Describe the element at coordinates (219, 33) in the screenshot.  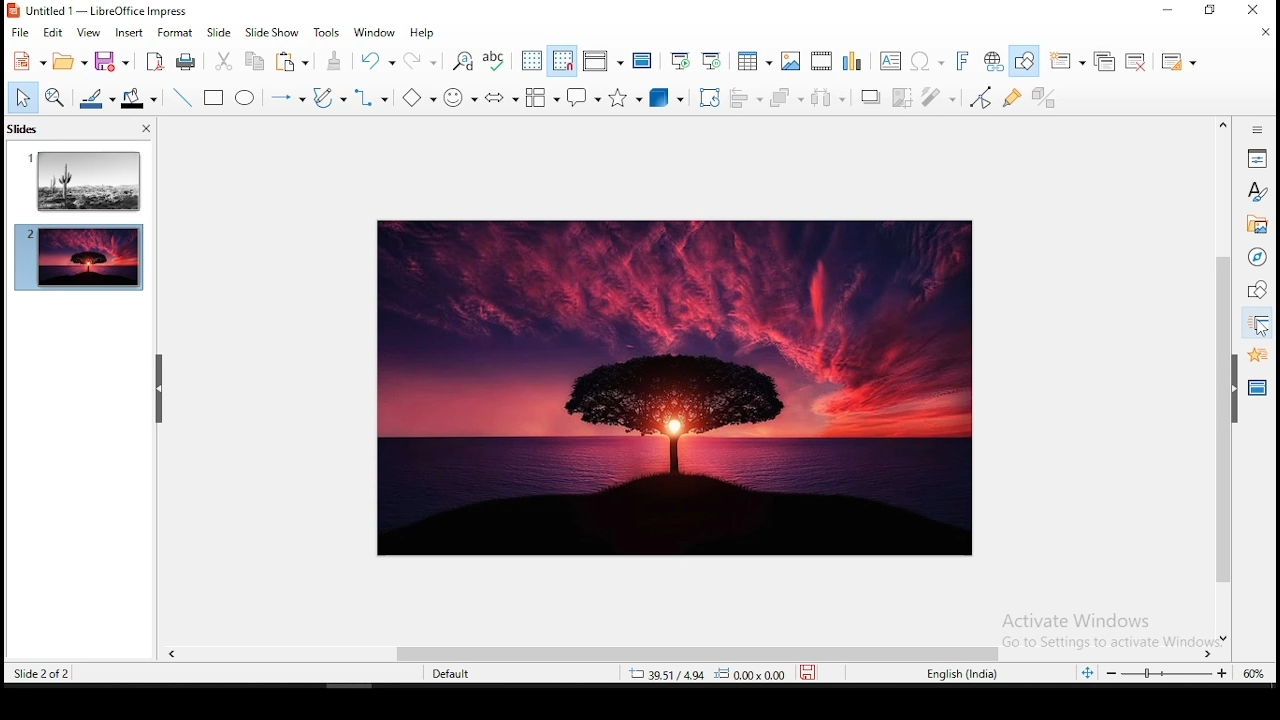
I see `slide` at that location.